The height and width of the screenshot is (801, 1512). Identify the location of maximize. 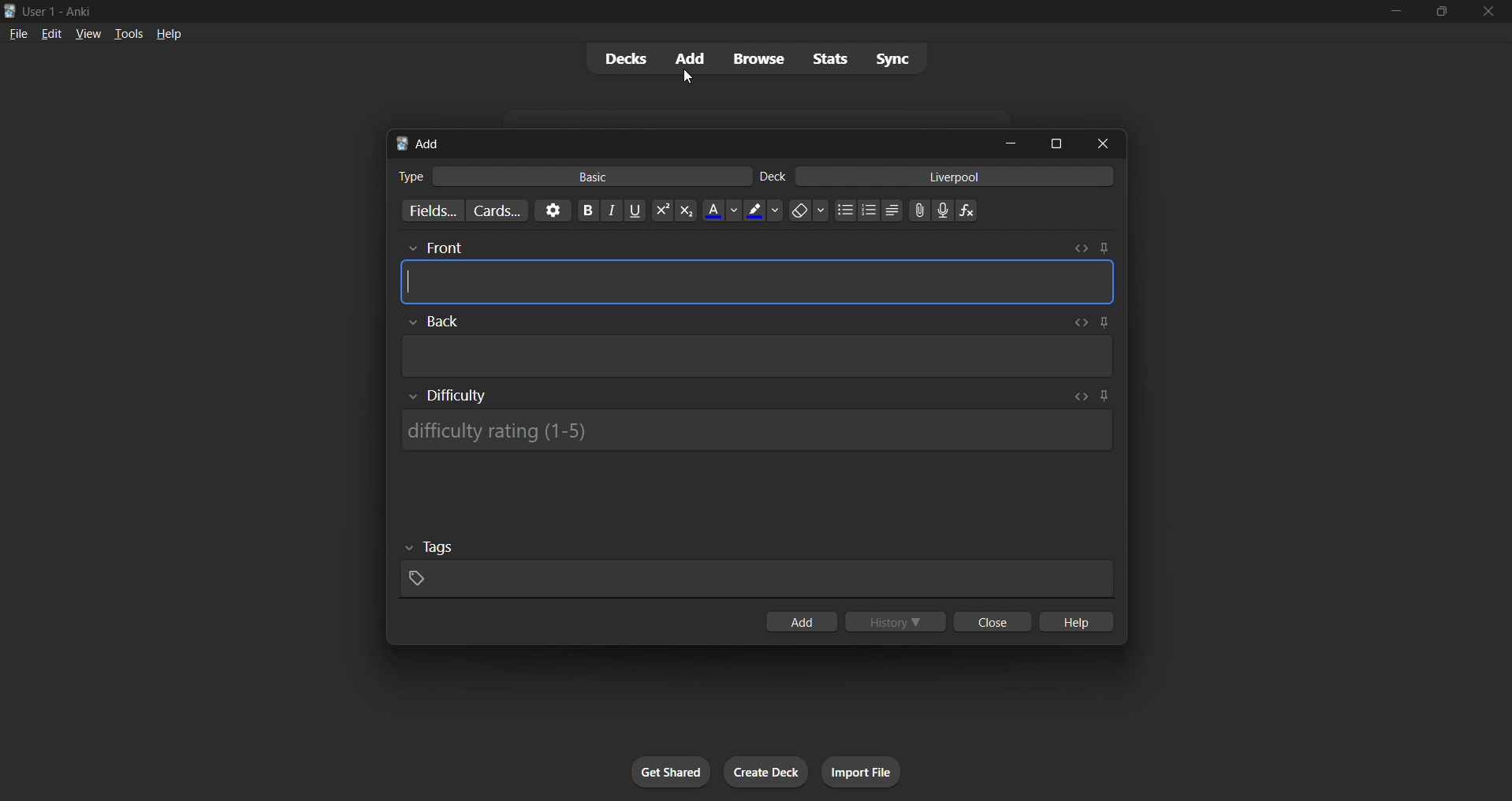
(1057, 142).